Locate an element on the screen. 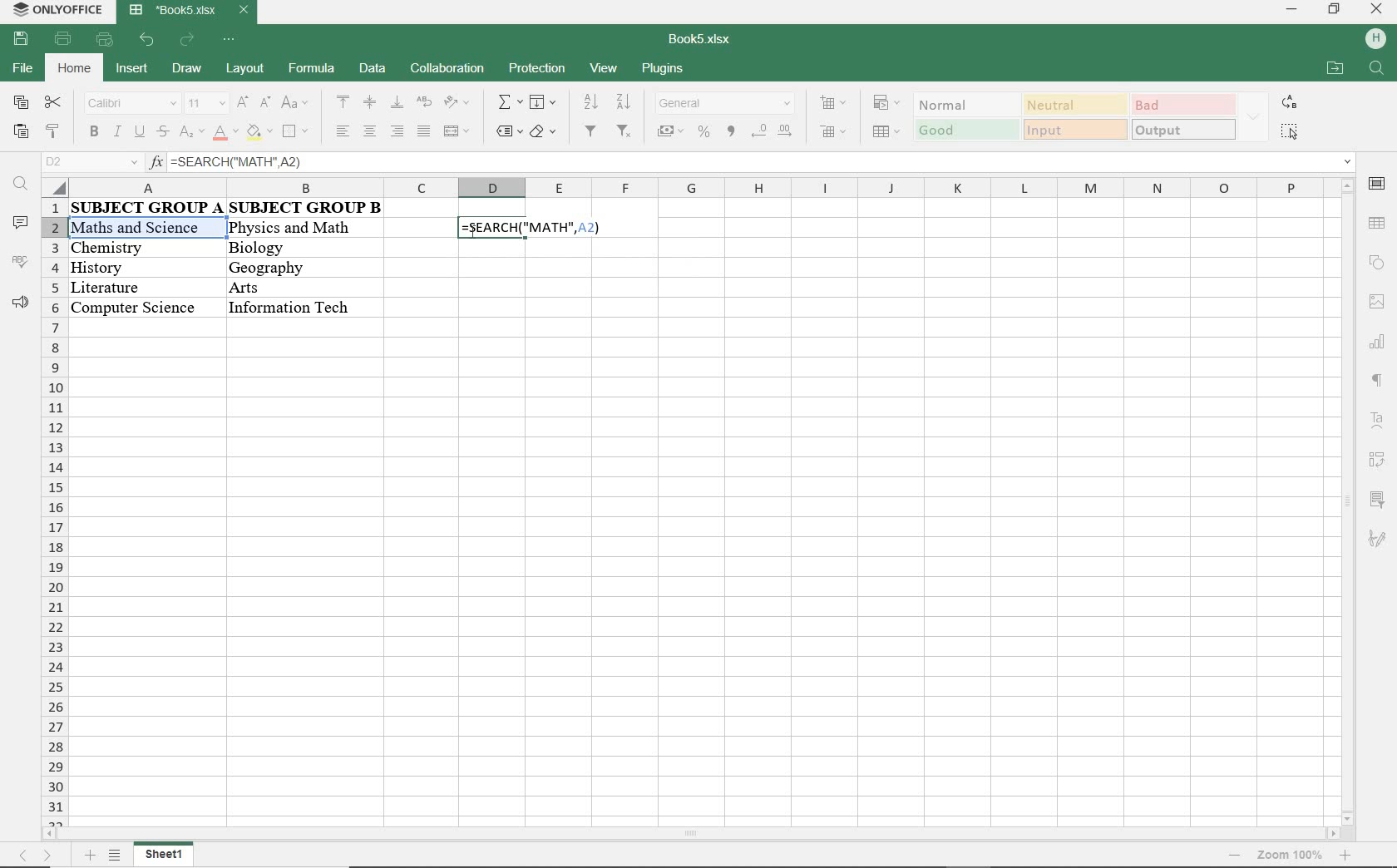 This screenshot has height=868, width=1397. named ranges is located at coordinates (508, 131).